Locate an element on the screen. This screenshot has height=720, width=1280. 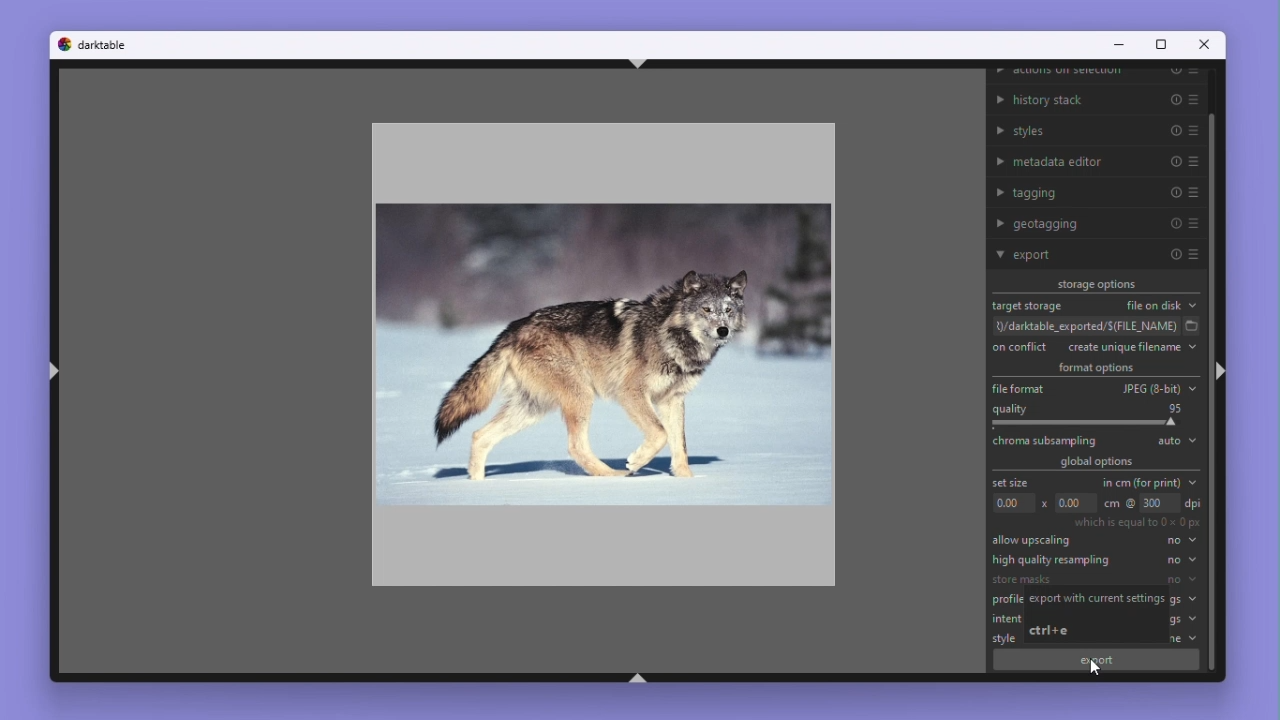
Dark table logo is located at coordinates (94, 48).